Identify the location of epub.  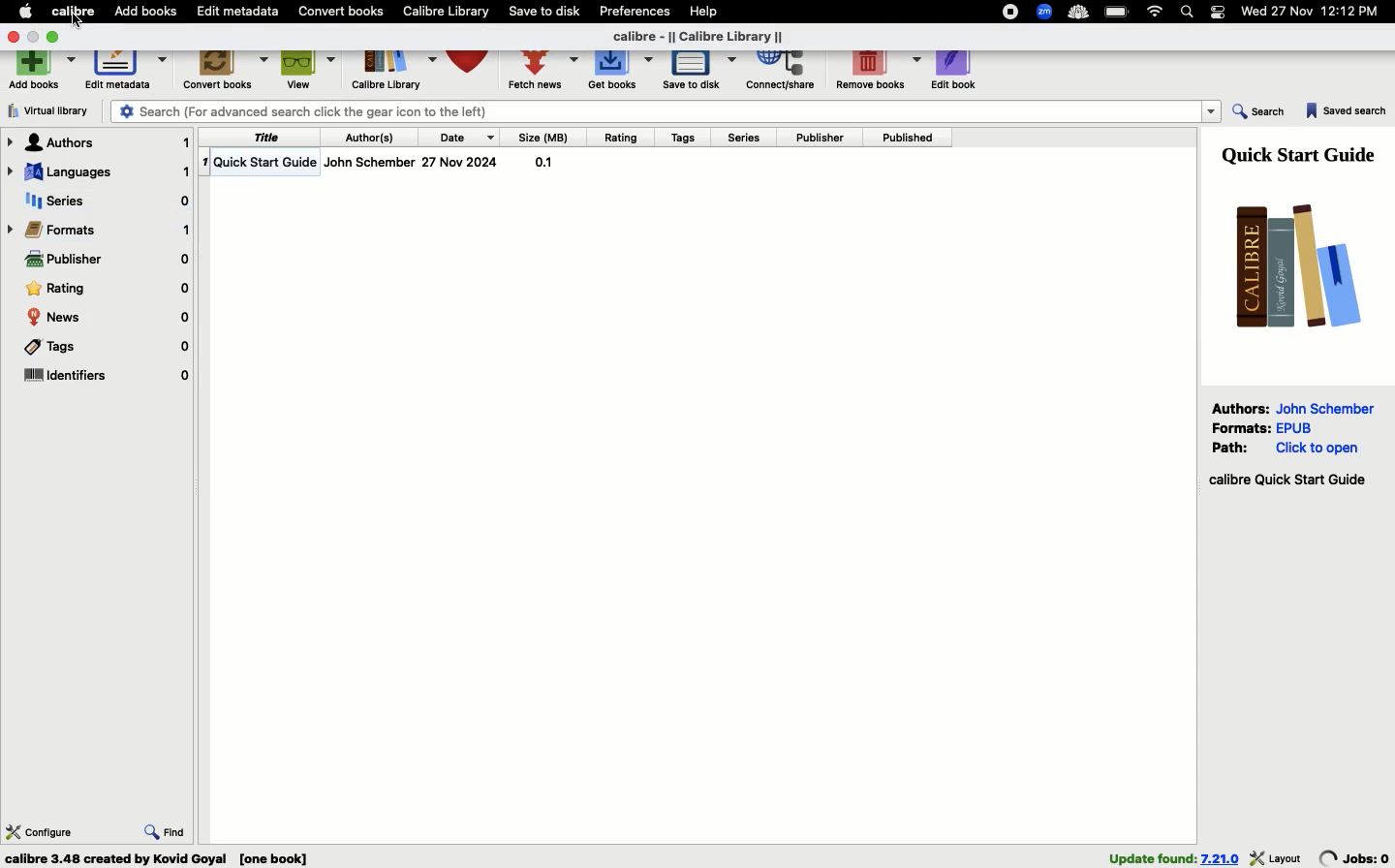
(1294, 427).